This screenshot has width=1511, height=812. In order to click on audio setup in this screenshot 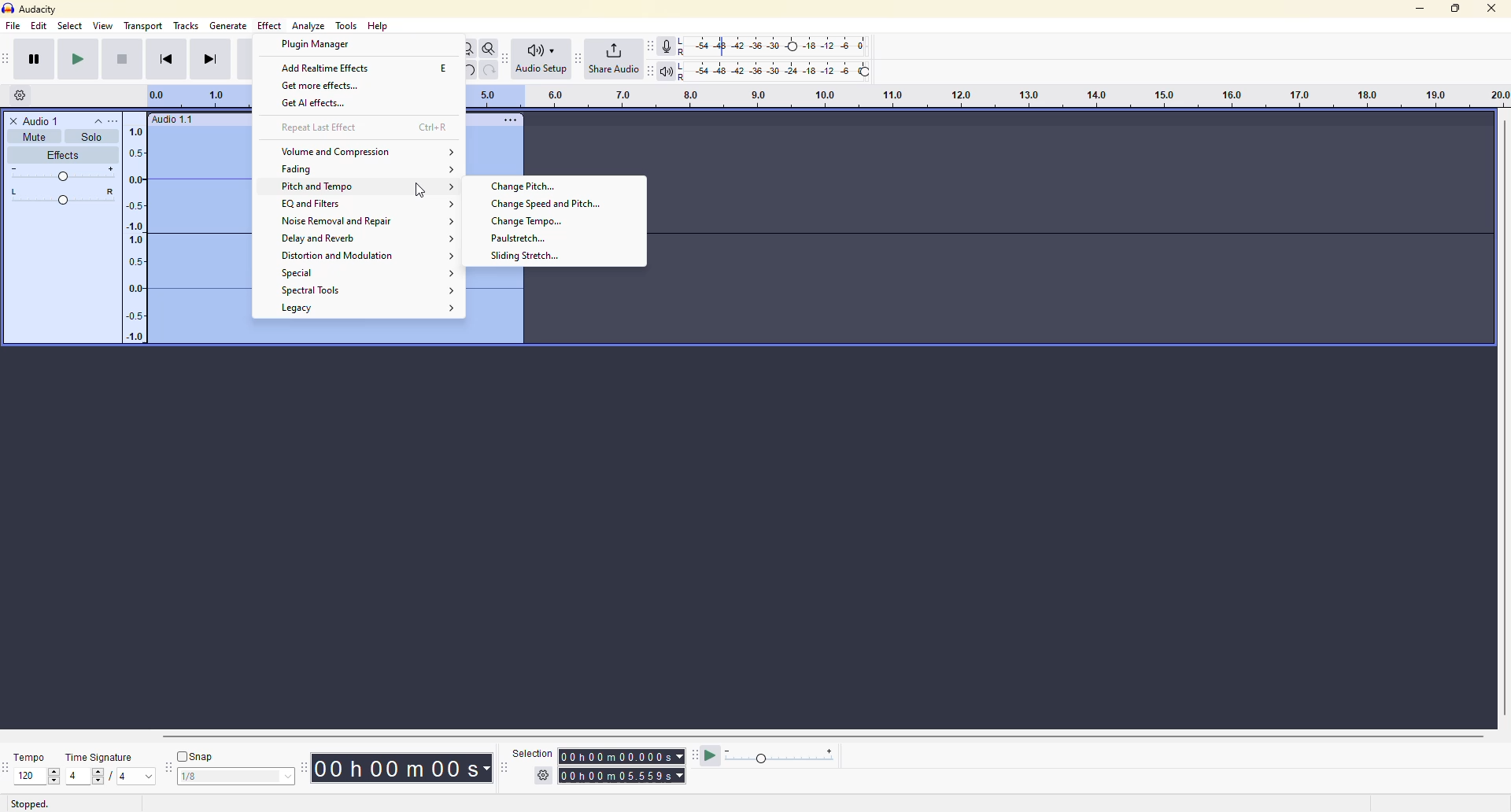, I will do `click(541, 58)`.